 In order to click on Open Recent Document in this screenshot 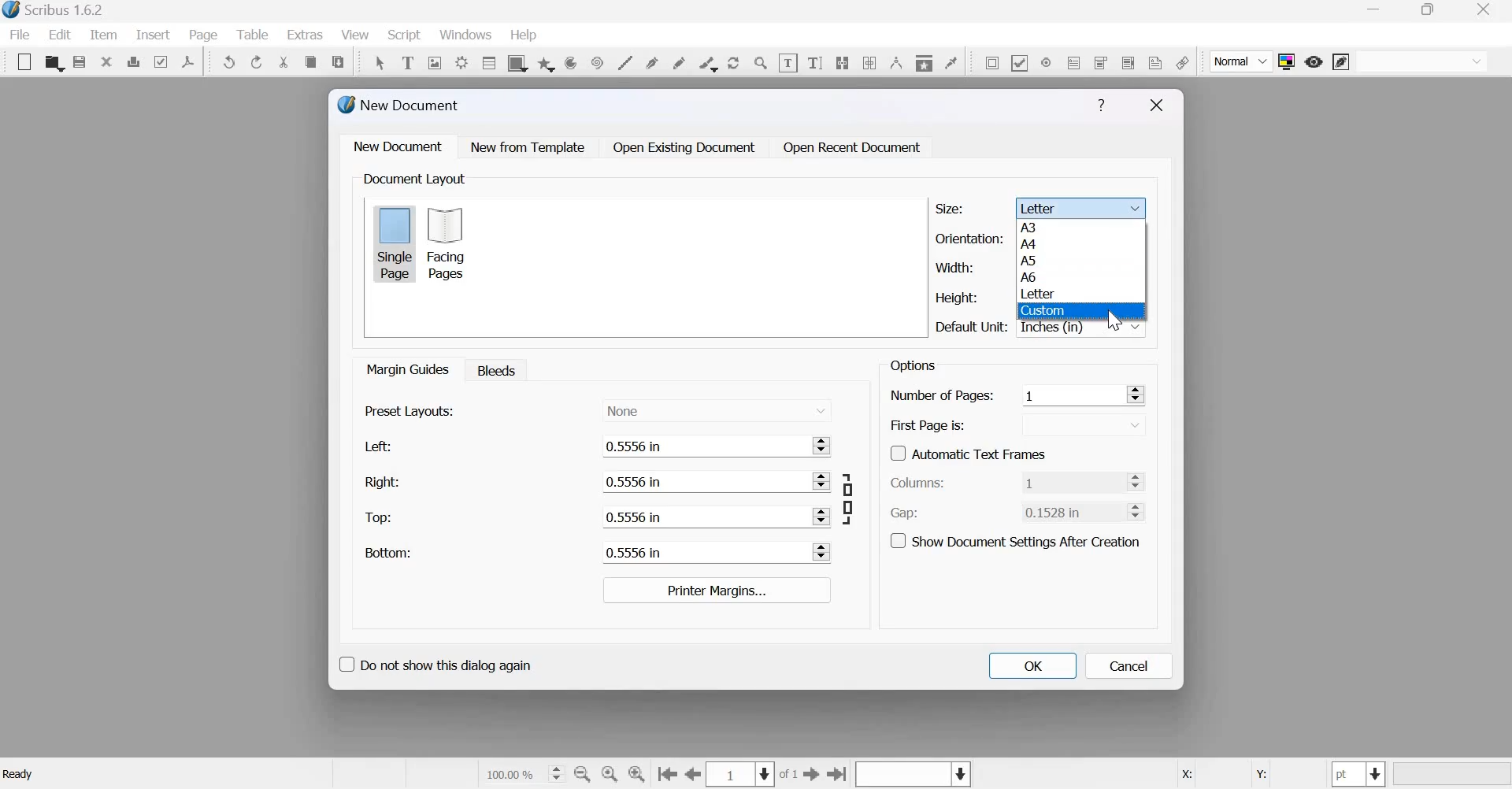, I will do `click(853, 148)`.